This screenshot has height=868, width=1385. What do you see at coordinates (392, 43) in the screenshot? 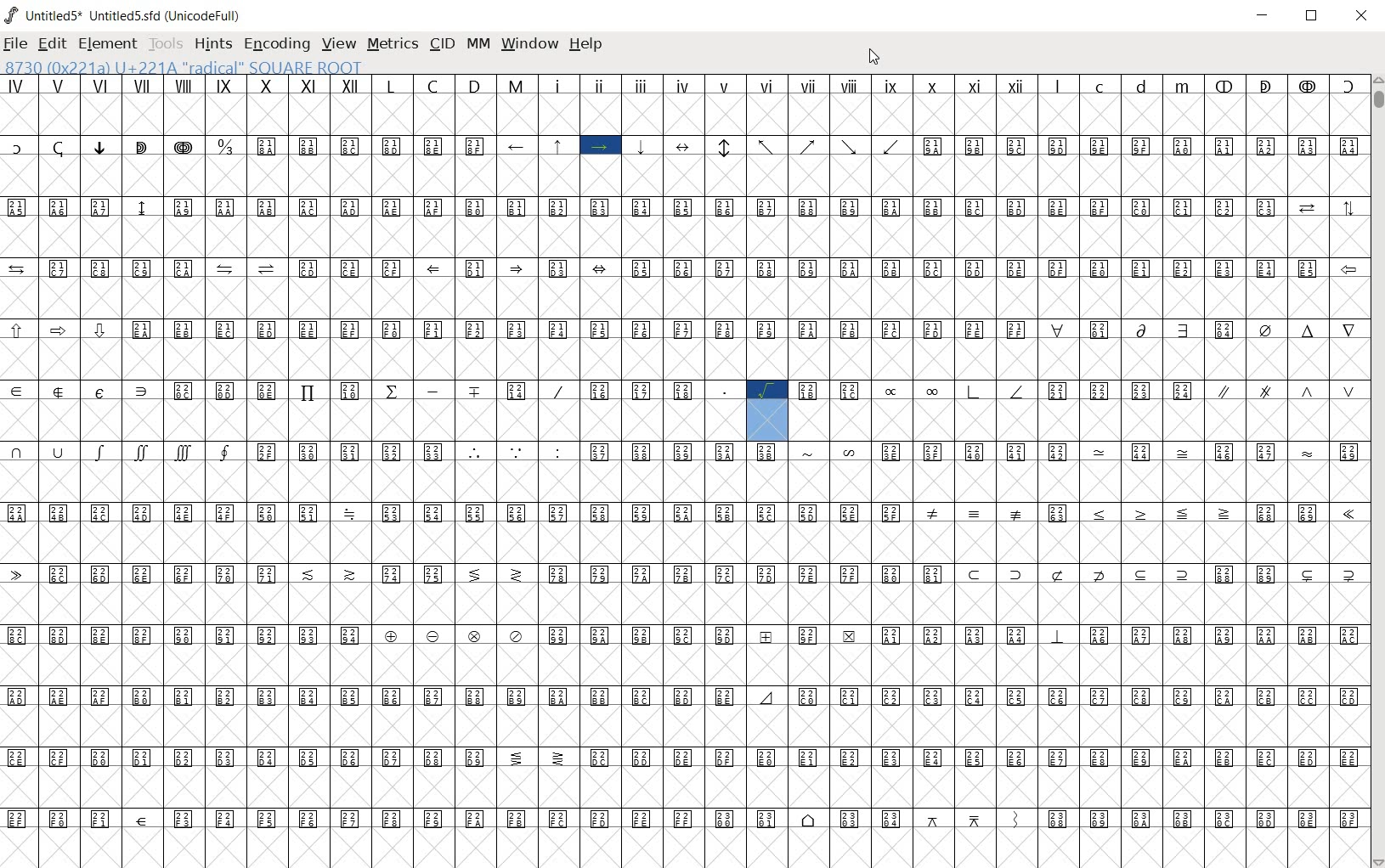
I see `METRICS` at bounding box center [392, 43].